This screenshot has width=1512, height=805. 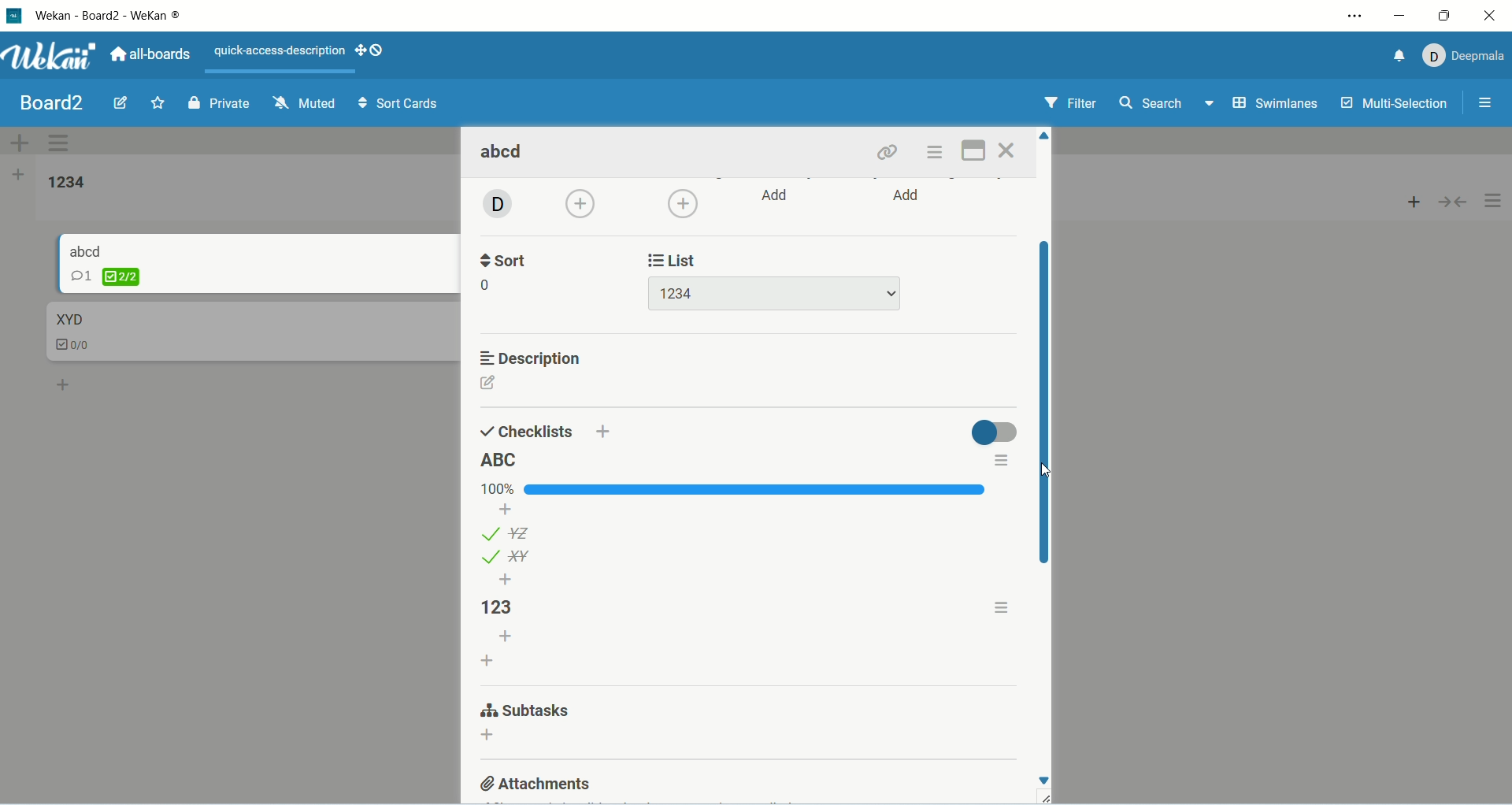 I want to click on add, so click(x=508, y=509).